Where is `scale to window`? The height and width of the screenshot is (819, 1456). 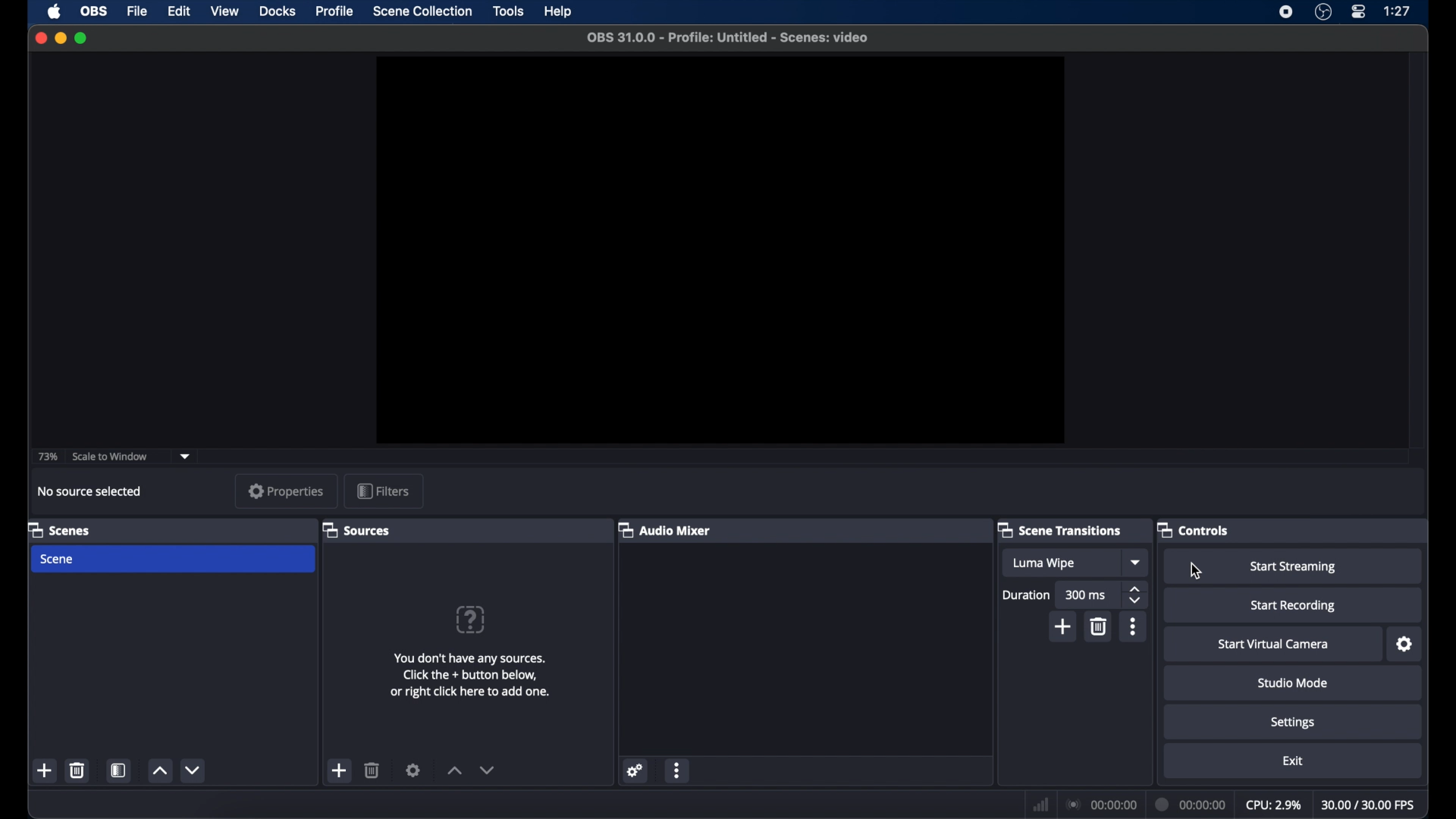
scale to window is located at coordinates (112, 457).